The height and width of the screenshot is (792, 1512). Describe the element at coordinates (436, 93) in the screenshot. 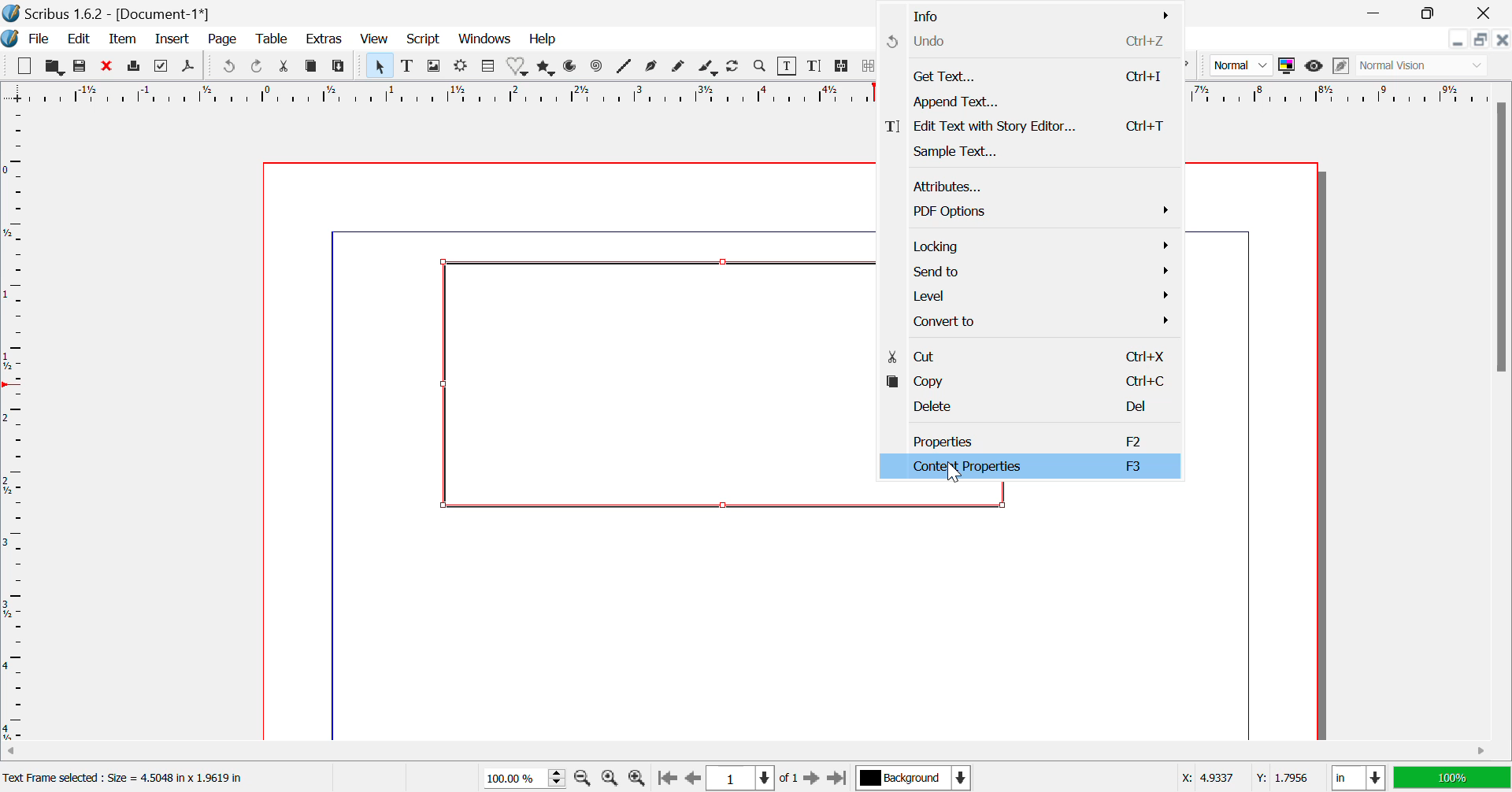

I see `Vertical Page Margins` at that location.